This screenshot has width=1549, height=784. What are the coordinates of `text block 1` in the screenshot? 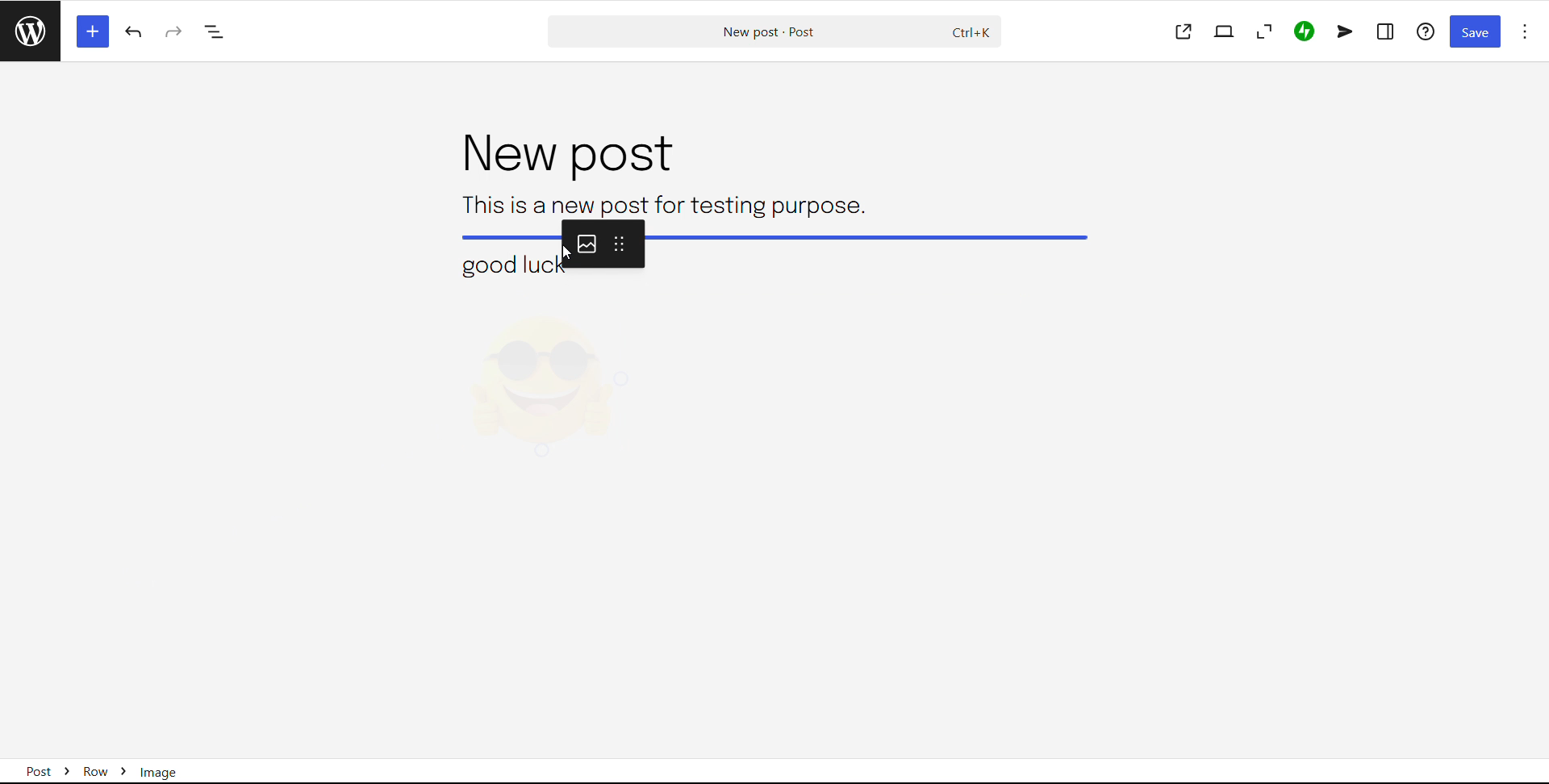 It's located at (660, 204).